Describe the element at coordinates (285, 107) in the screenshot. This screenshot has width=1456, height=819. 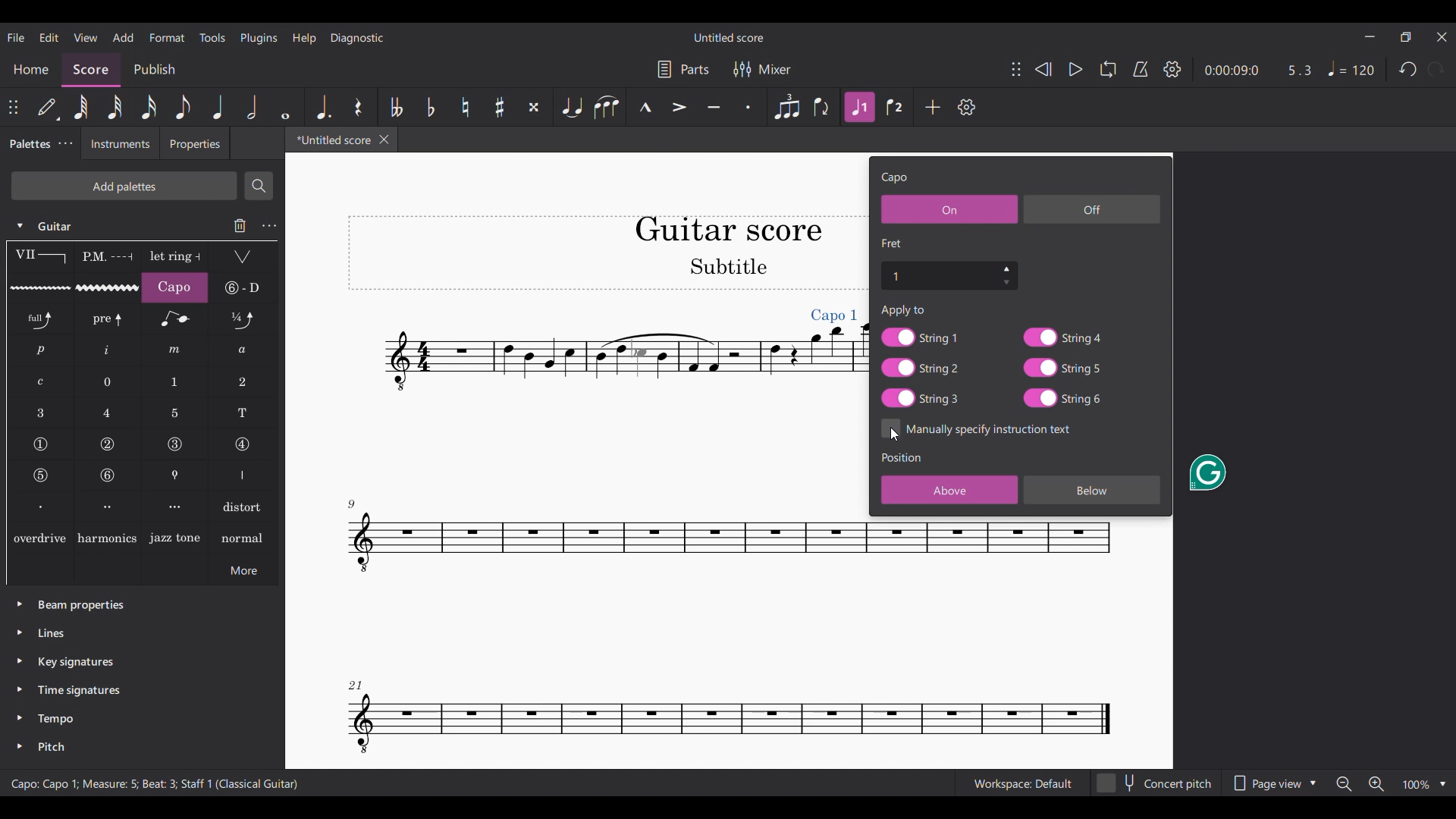
I see `Whole note` at that location.